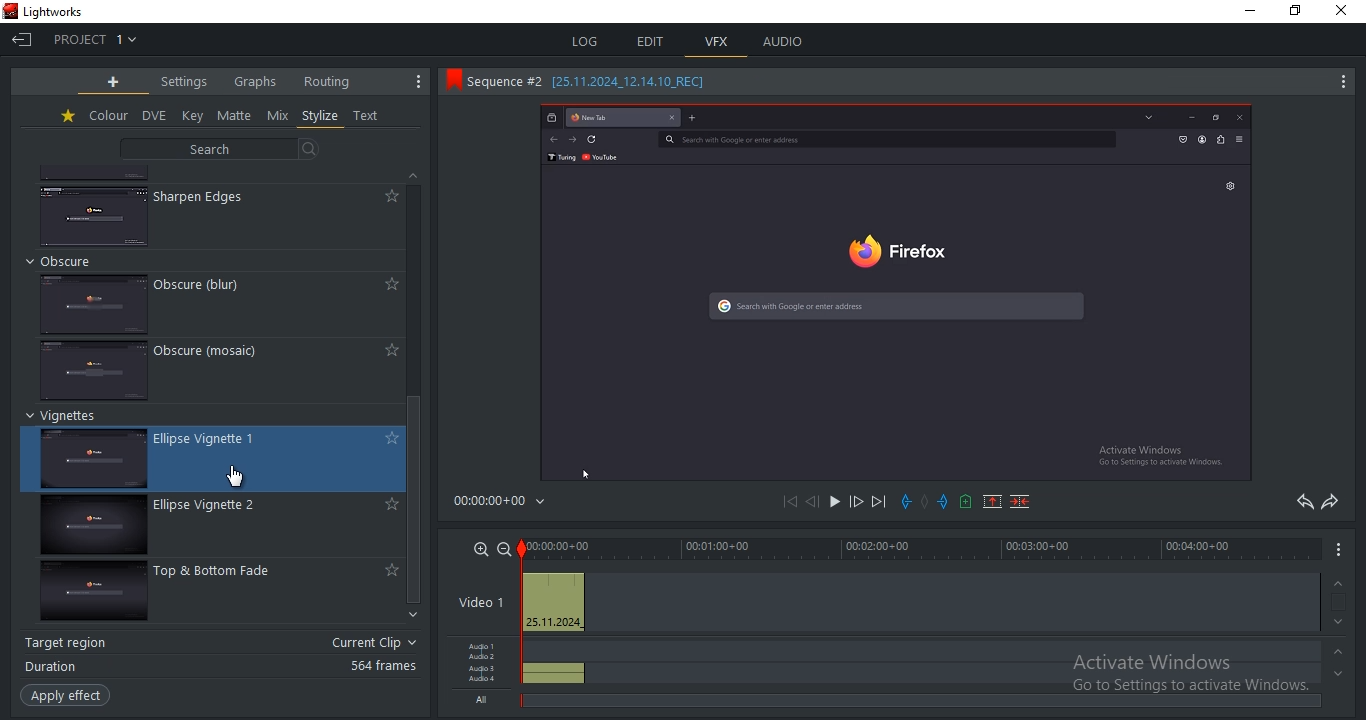 The height and width of the screenshot is (720, 1366). What do you see at coordinates (943, 499) in the screenshot?
I see `mark out` at bounding box center [943, 499].